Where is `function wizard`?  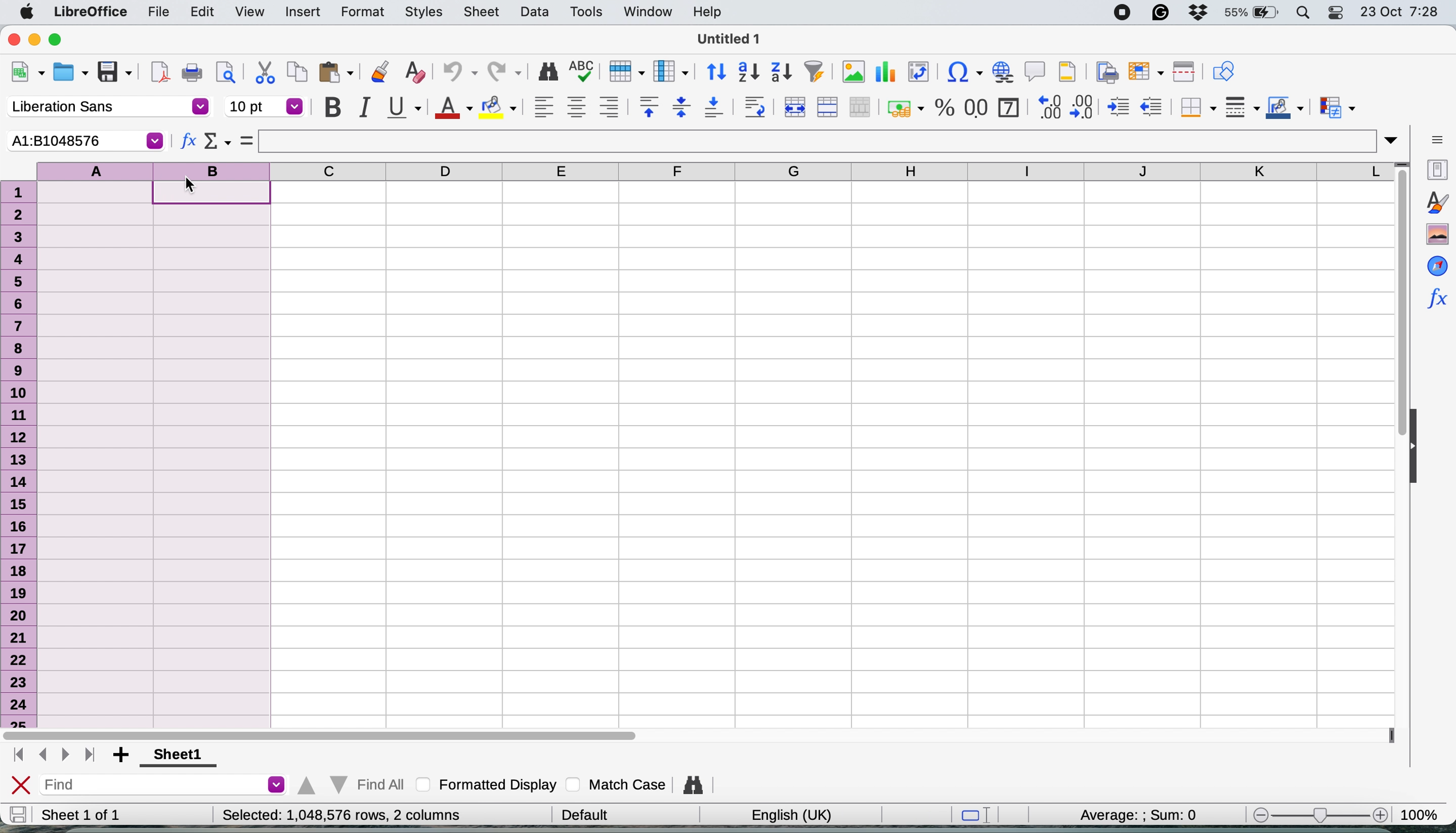 function wizard is located at coordinates (186, 140).